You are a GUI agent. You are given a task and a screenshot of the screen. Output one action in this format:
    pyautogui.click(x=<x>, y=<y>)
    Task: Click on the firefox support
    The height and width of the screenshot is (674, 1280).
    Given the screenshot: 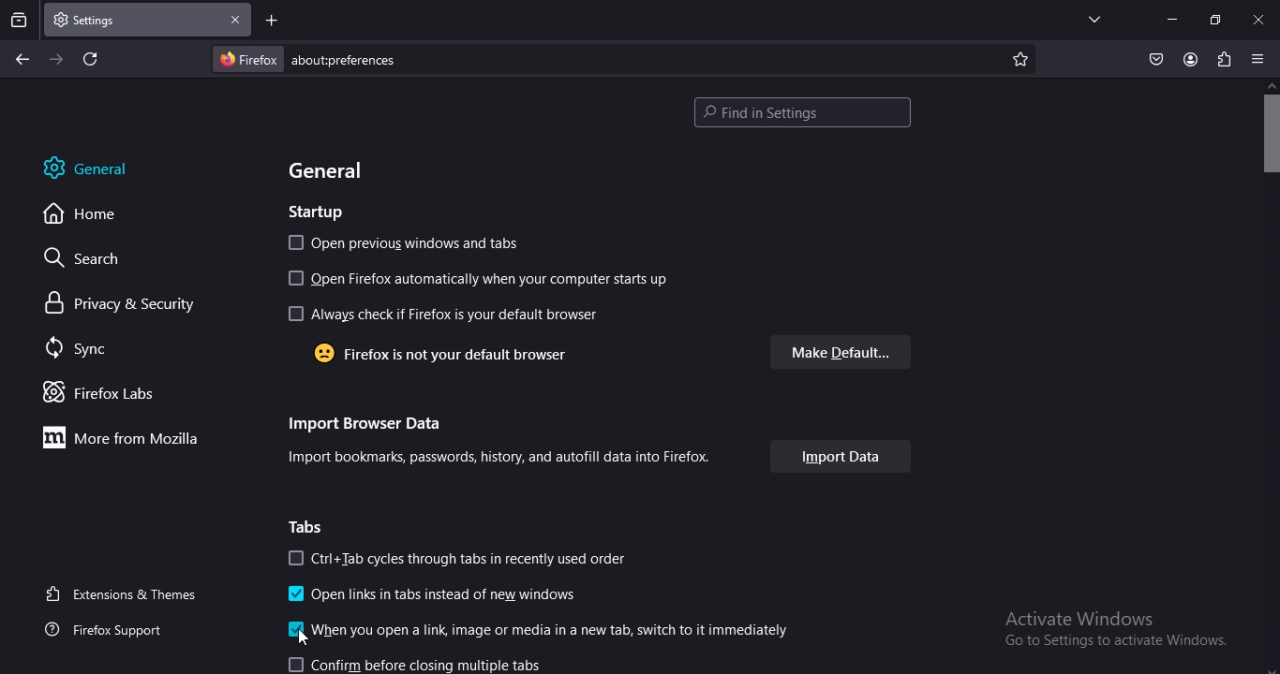 What is the action you would take?
    pyautogui.click(x=113, y=629)
    